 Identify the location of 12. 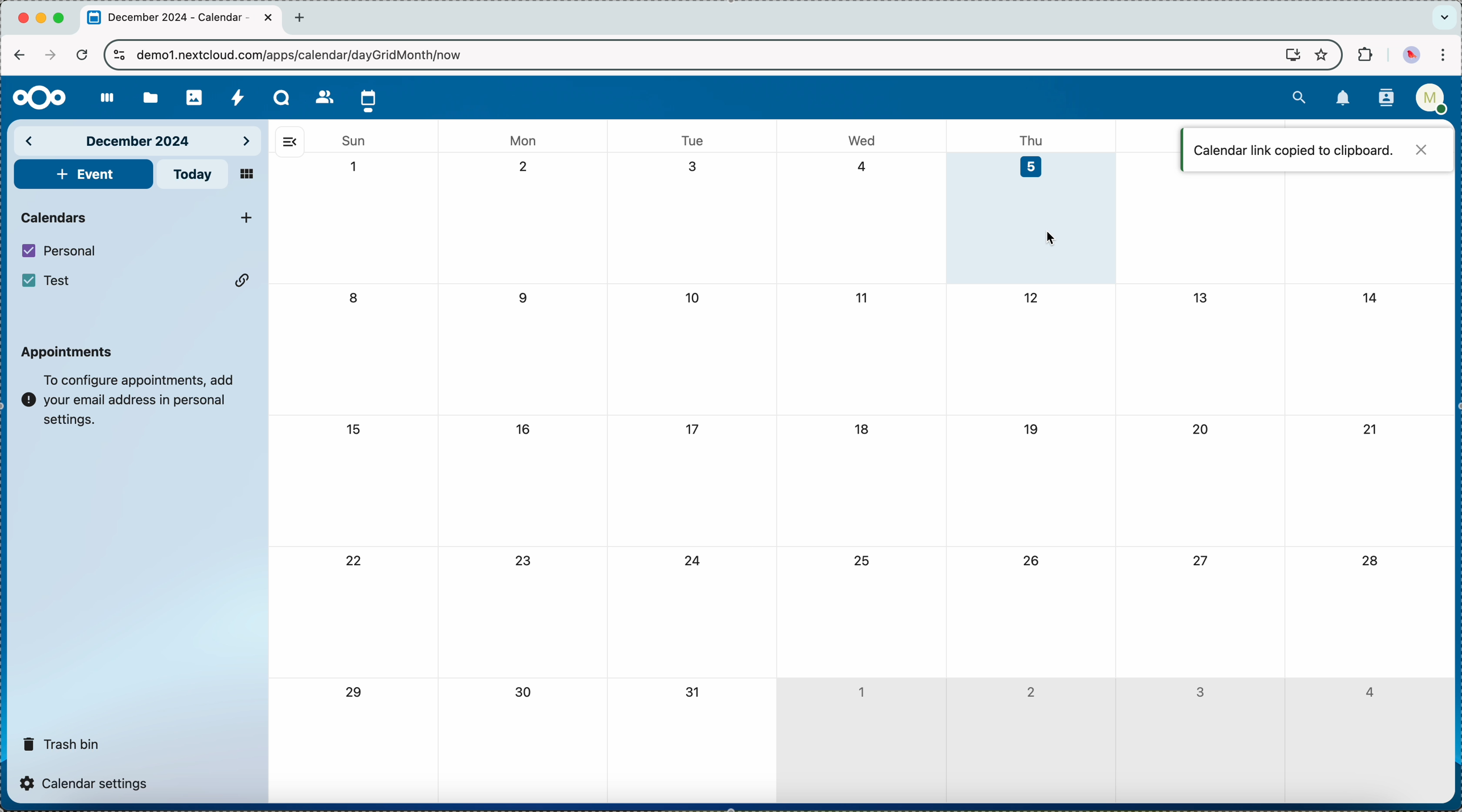
(1032, 298).